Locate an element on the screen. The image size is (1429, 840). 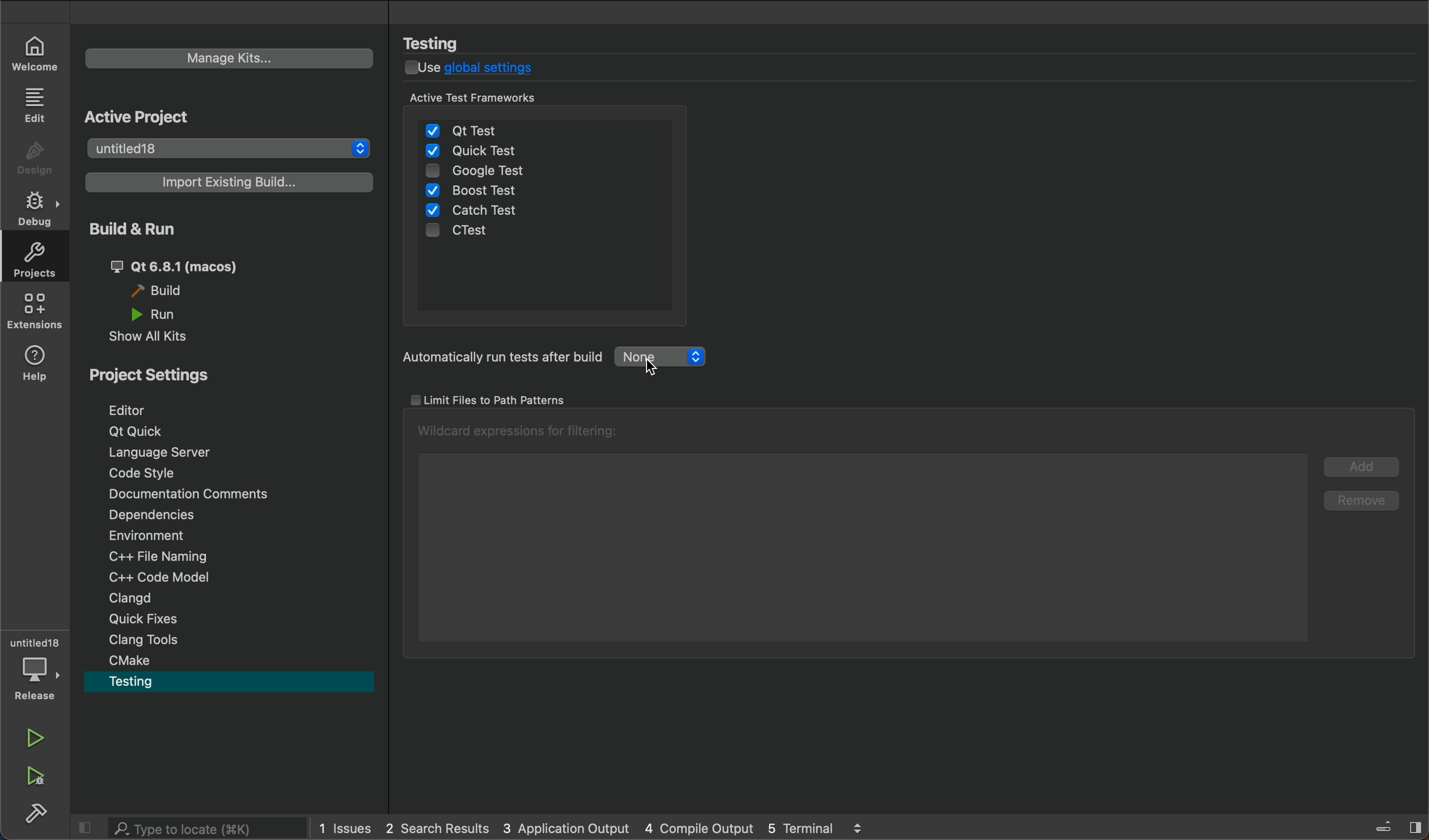
language server is located at coordinates (164, 454).